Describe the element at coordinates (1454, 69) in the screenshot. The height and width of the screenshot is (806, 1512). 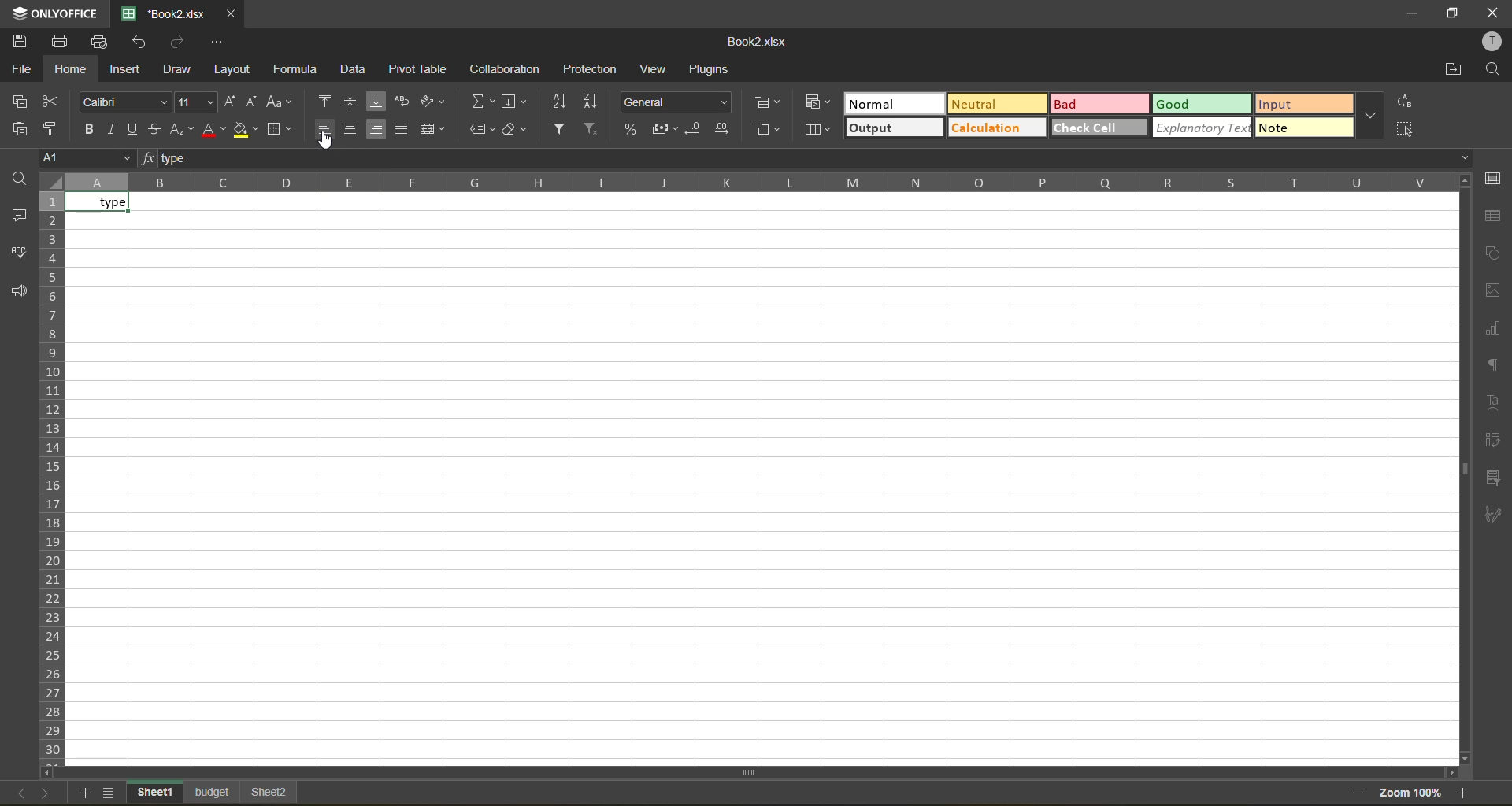
I see `open location` at that location.